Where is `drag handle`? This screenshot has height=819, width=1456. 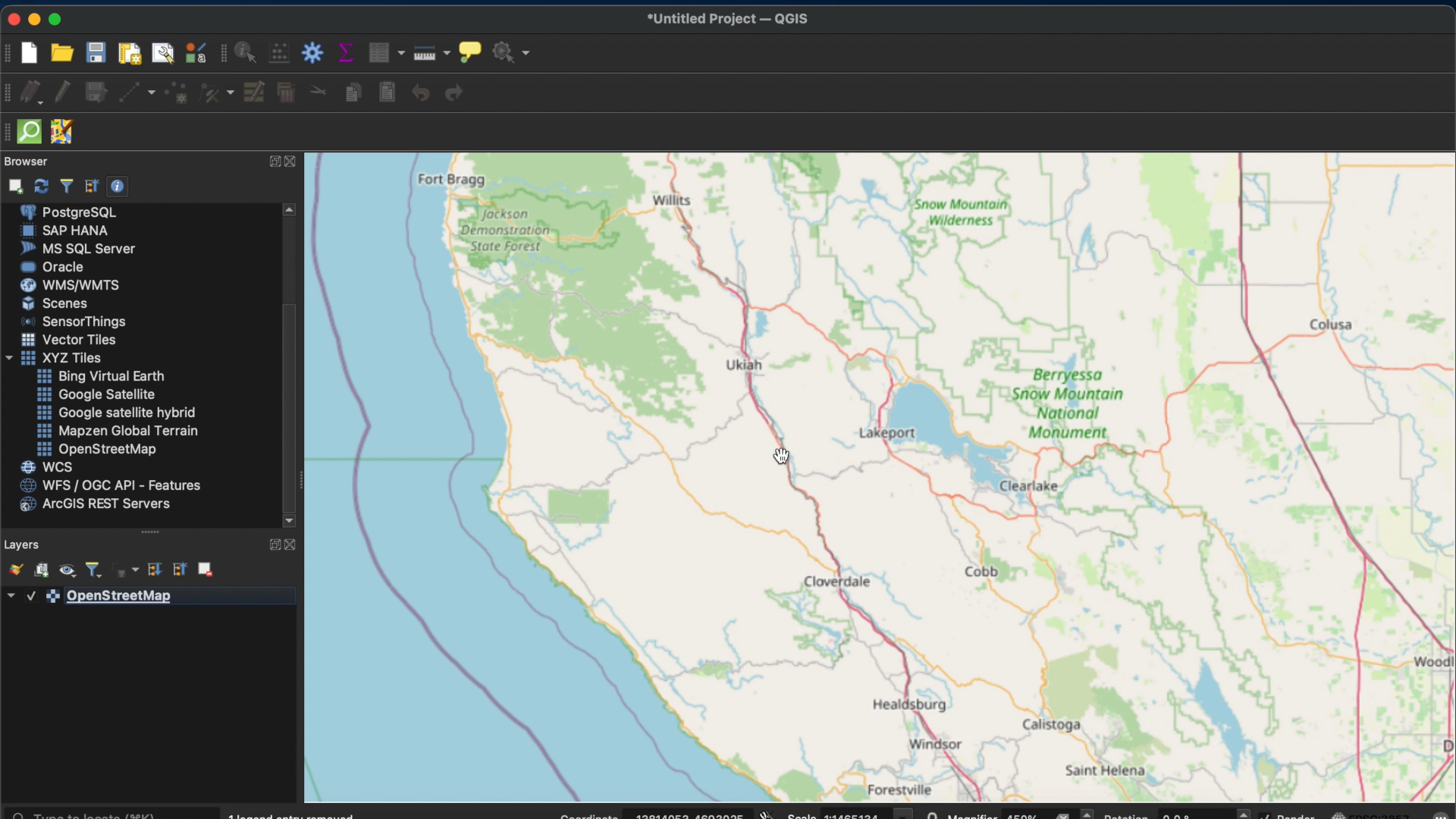 drag handle is located at coordinates (154, 533).